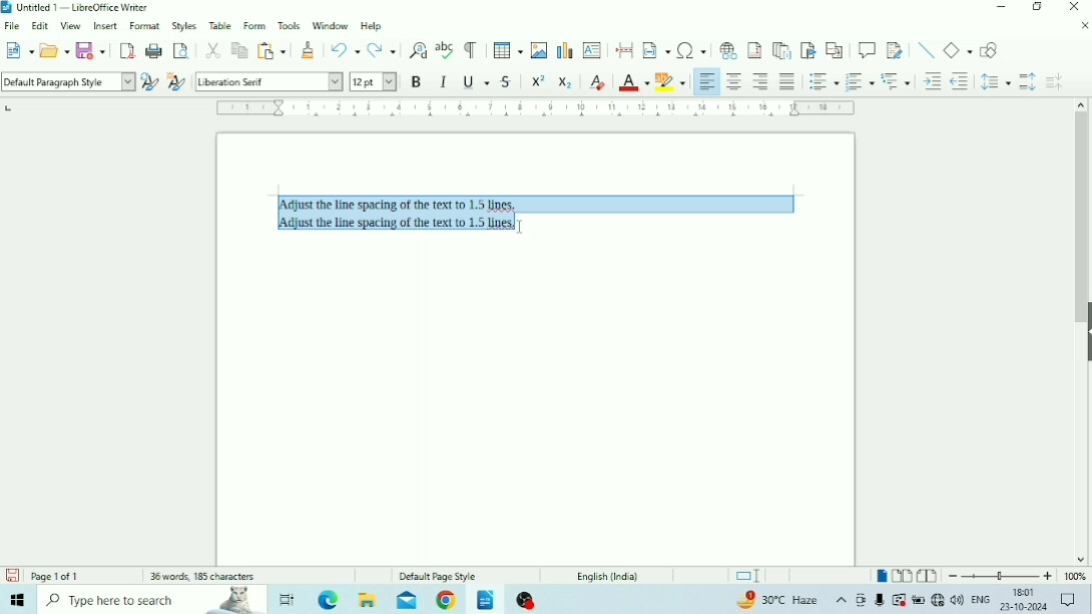  What do you see at coordinates (1000, 575) in the screenshot?
I see `Zoom Out/In` at bounding box center [1000, 575].